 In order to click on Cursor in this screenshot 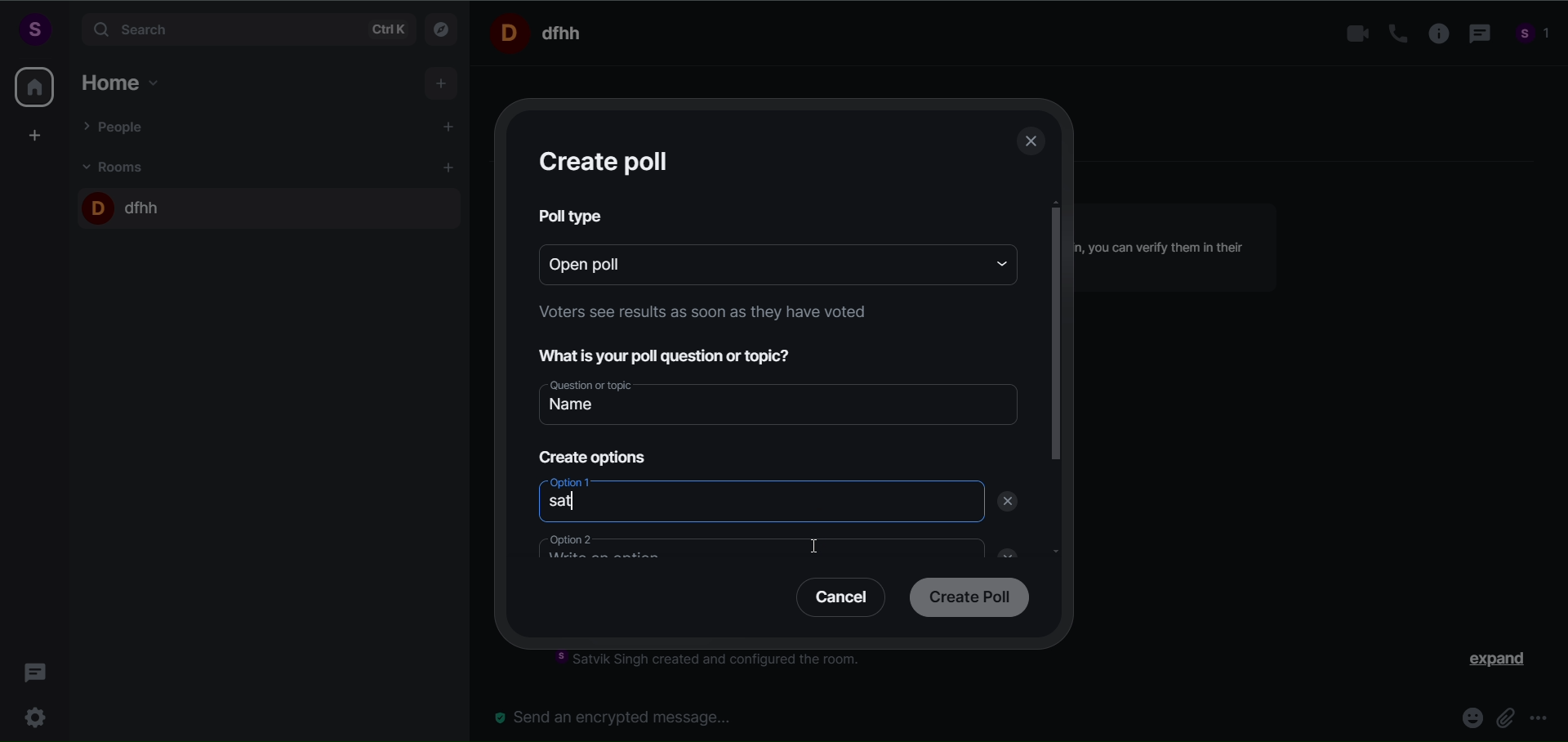, I will do `click(822, 550)`.